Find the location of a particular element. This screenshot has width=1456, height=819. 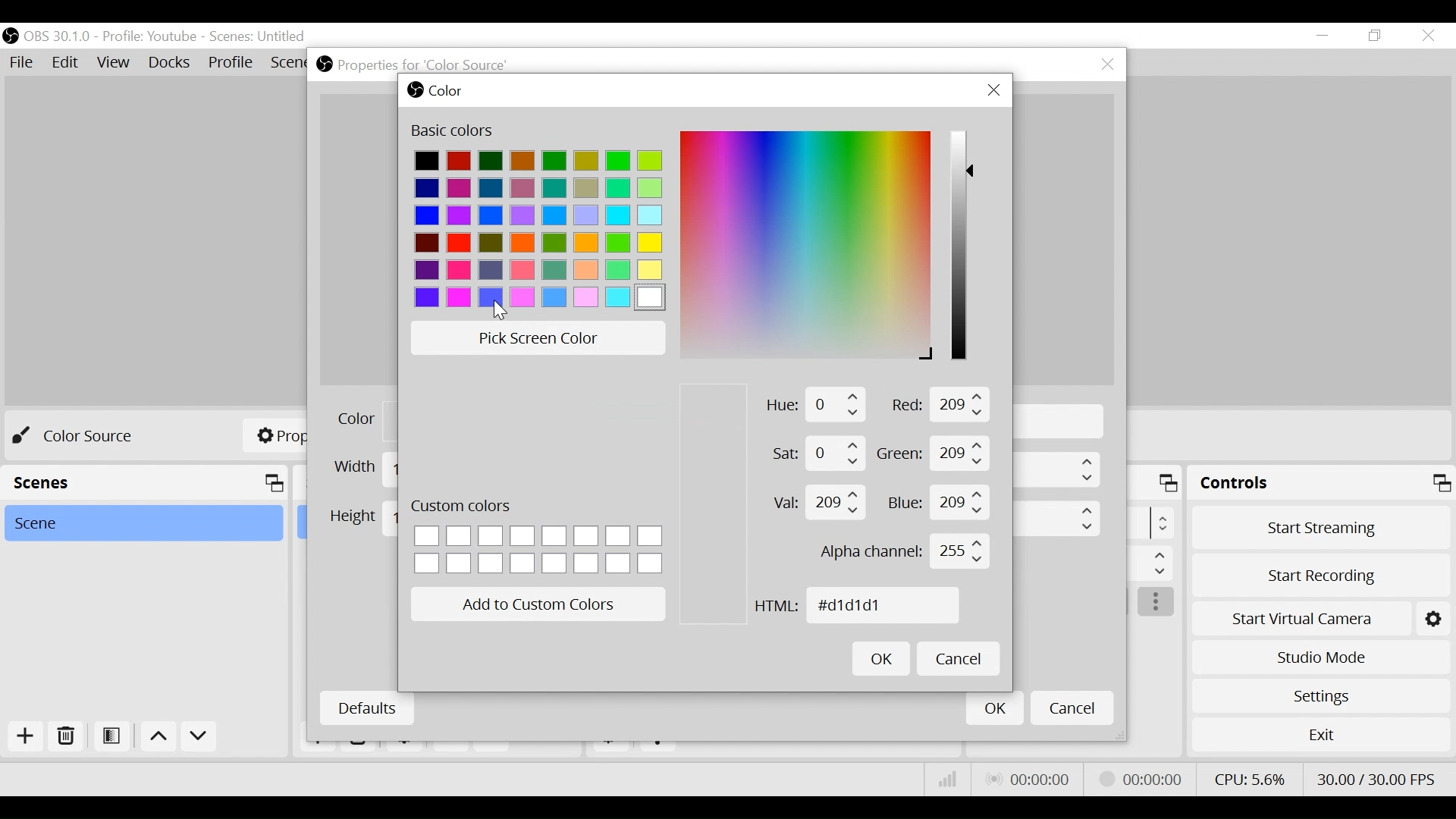

Scenes is located at coordinates (259, 37).